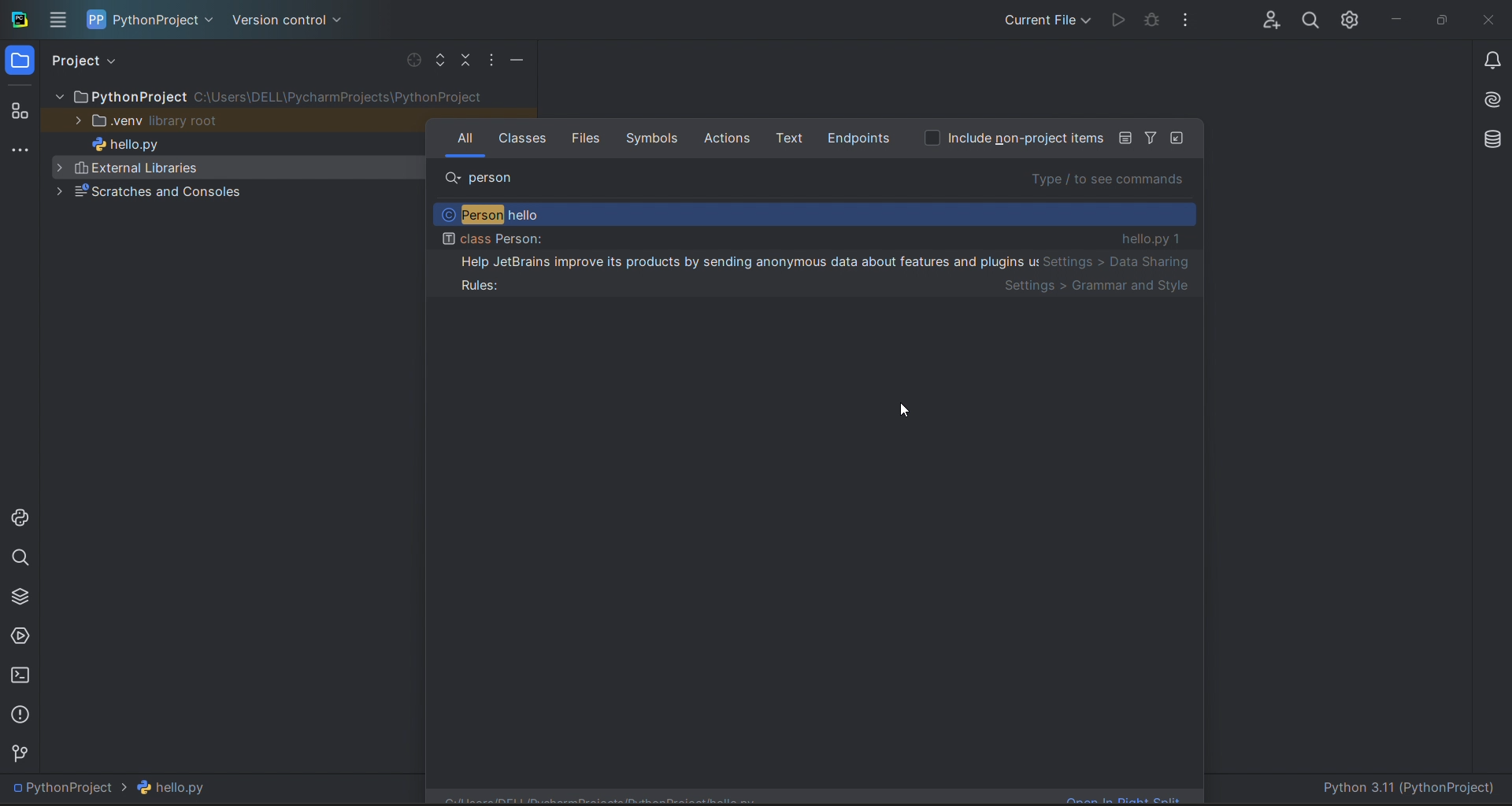 This screenshot has width=1512, height=806. Describe the element at coordinates (234, 168) in the screenshot. I see `External libraries` at that location.